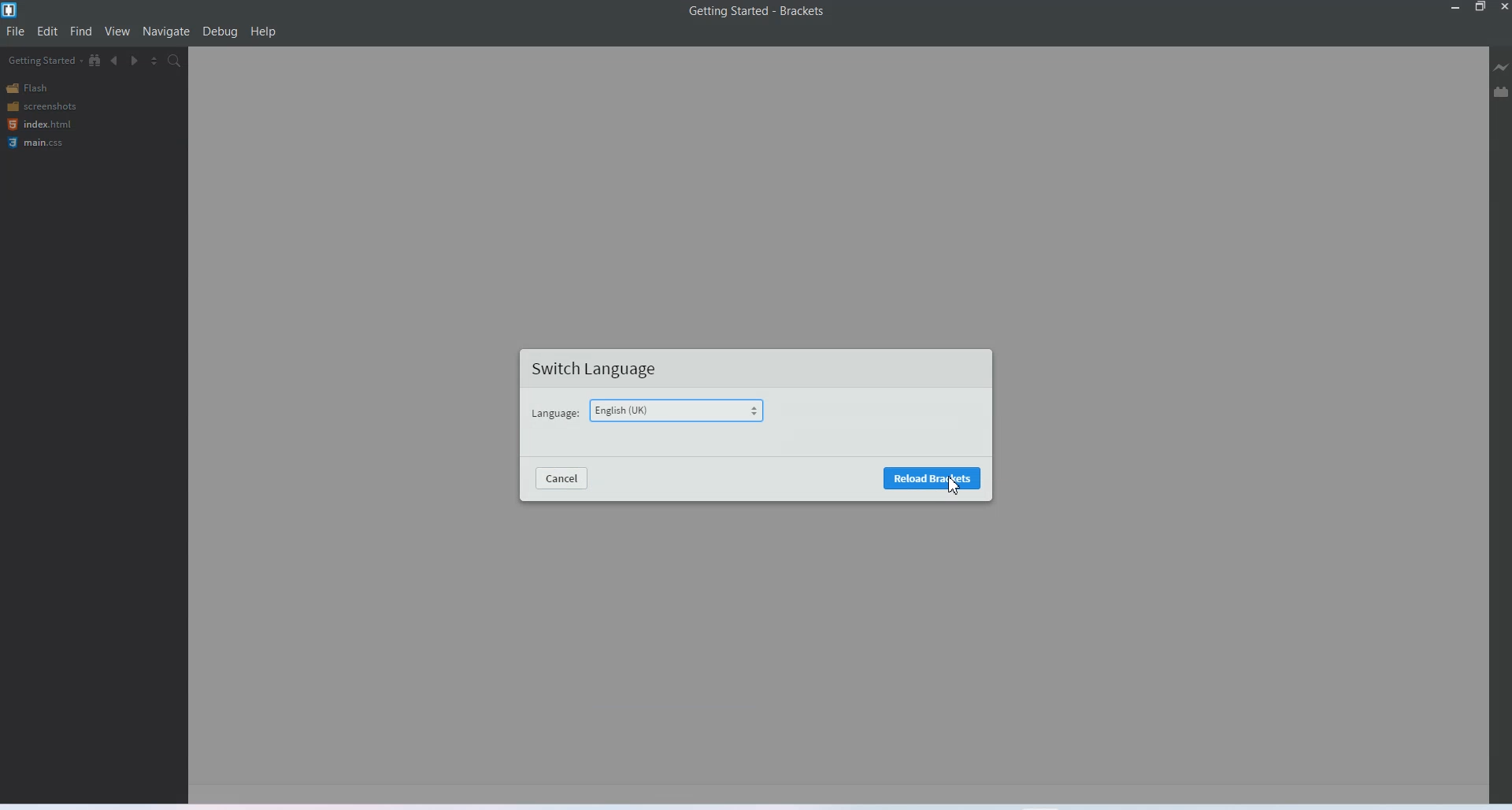  Describe the element at coordinates (954, 485) in the screenshot. I see `cursor` at that location.